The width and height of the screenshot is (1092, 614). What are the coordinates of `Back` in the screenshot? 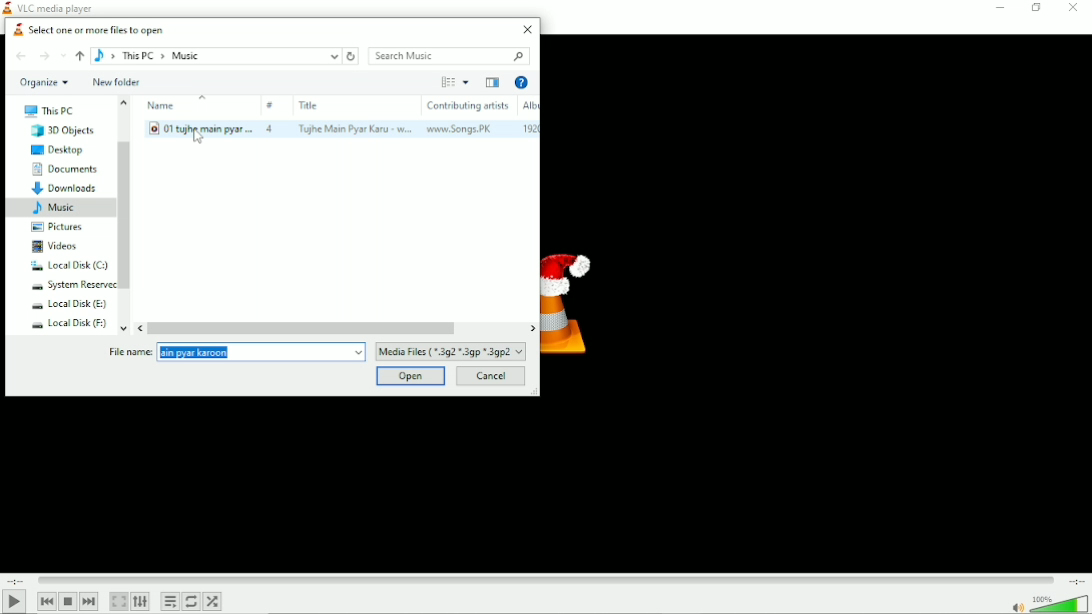 It's located at (20, 55).